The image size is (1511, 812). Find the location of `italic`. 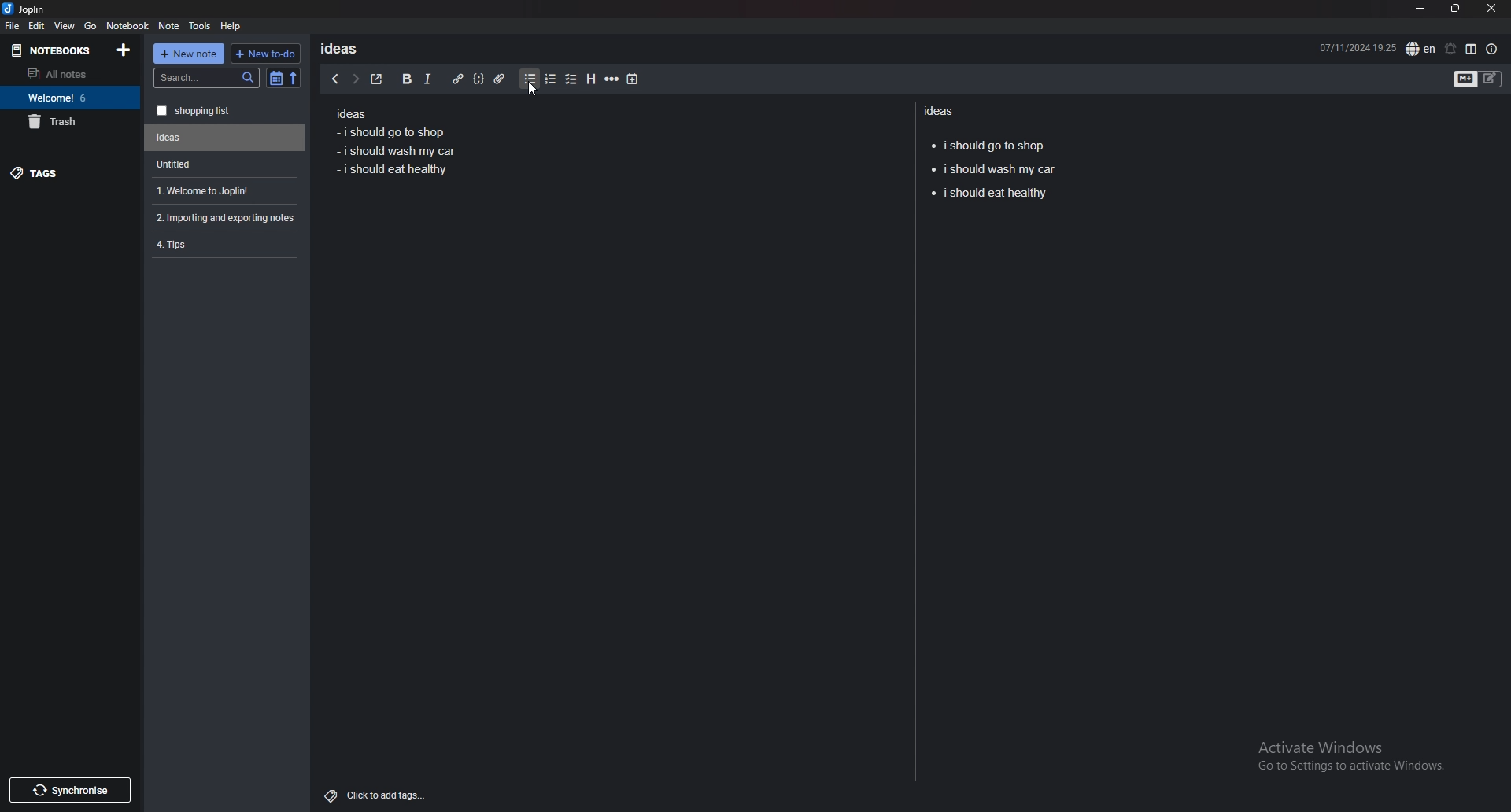

italic is located at coordinates (427, 79).